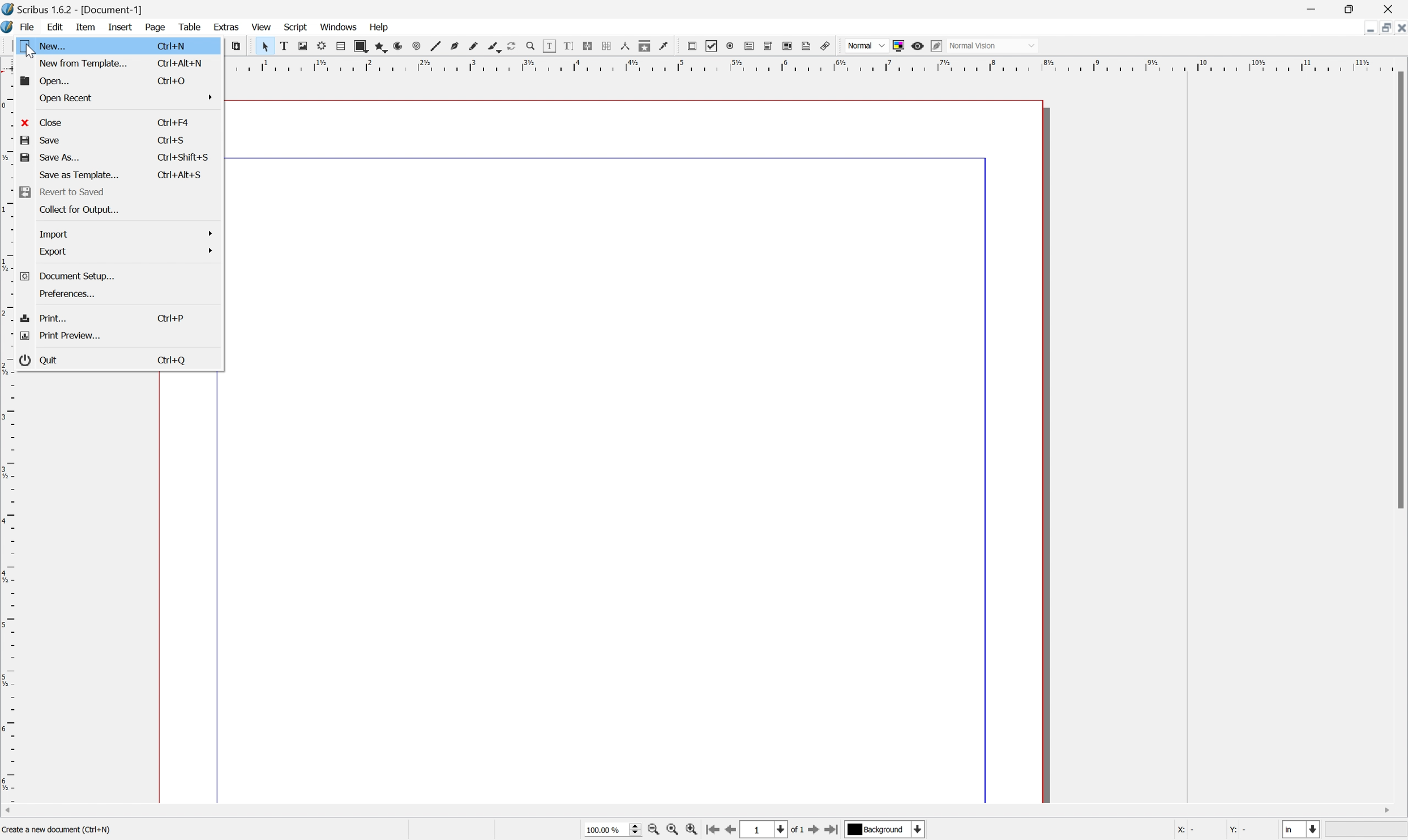  What do you see at coordinates (240, 48) in the screenshot?
I see `Paste` at bounding box center [240, 48].